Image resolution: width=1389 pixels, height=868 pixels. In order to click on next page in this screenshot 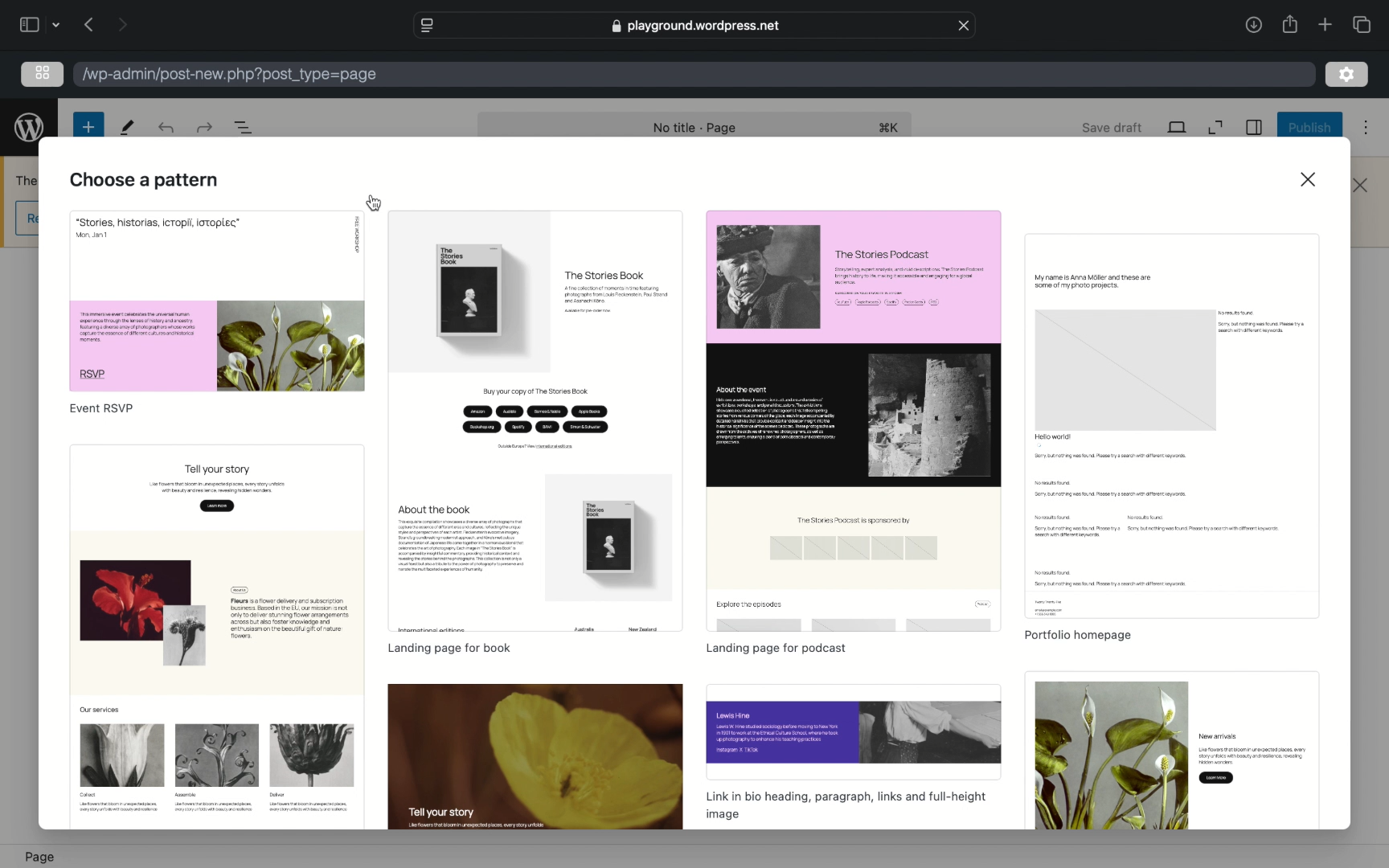, I will do `click(122, 24)`.